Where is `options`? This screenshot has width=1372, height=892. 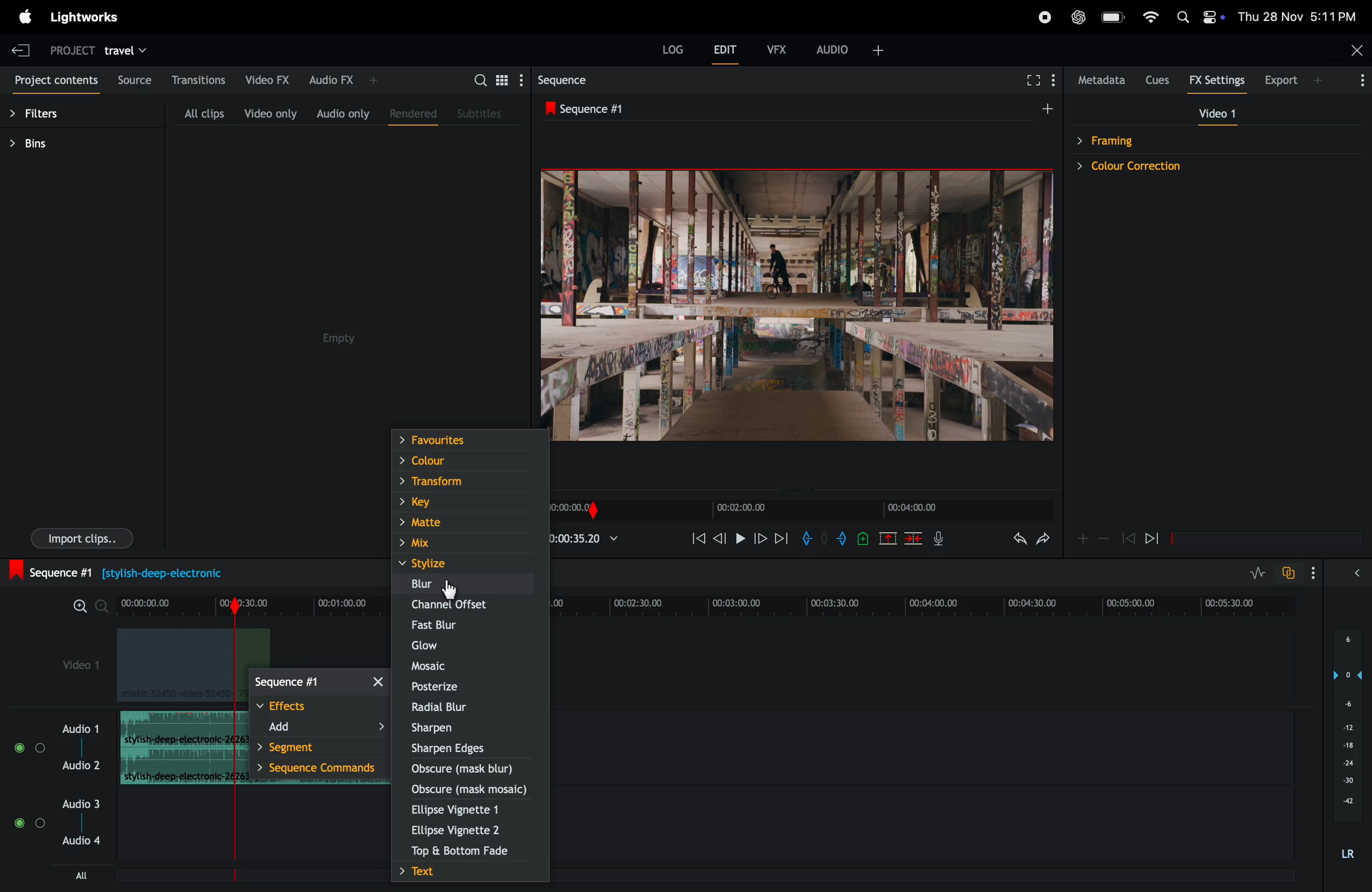 options is located at coordinates (1355, 79).